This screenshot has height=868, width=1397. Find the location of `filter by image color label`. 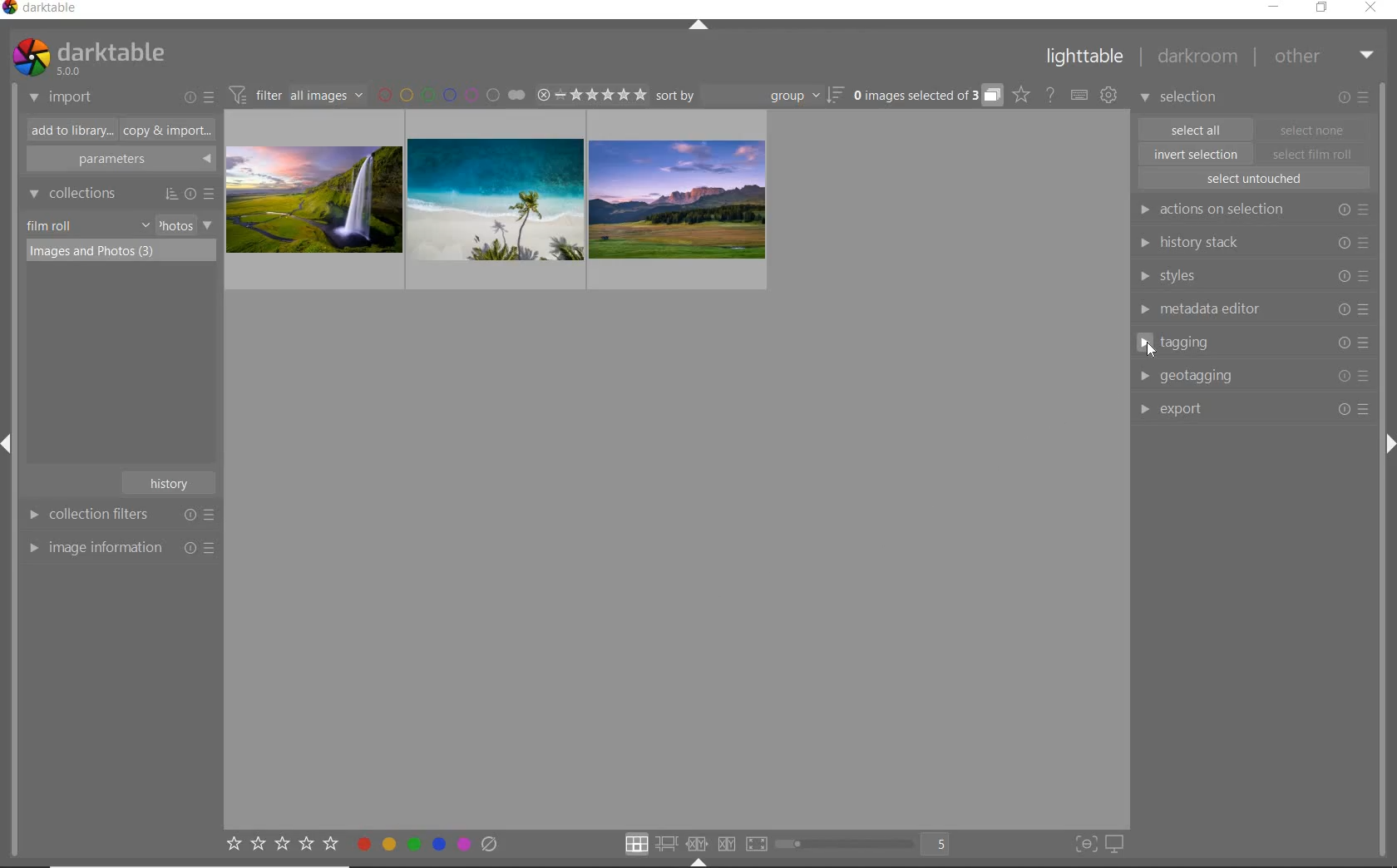

filter by image color label is located at coordinates (451, 94).